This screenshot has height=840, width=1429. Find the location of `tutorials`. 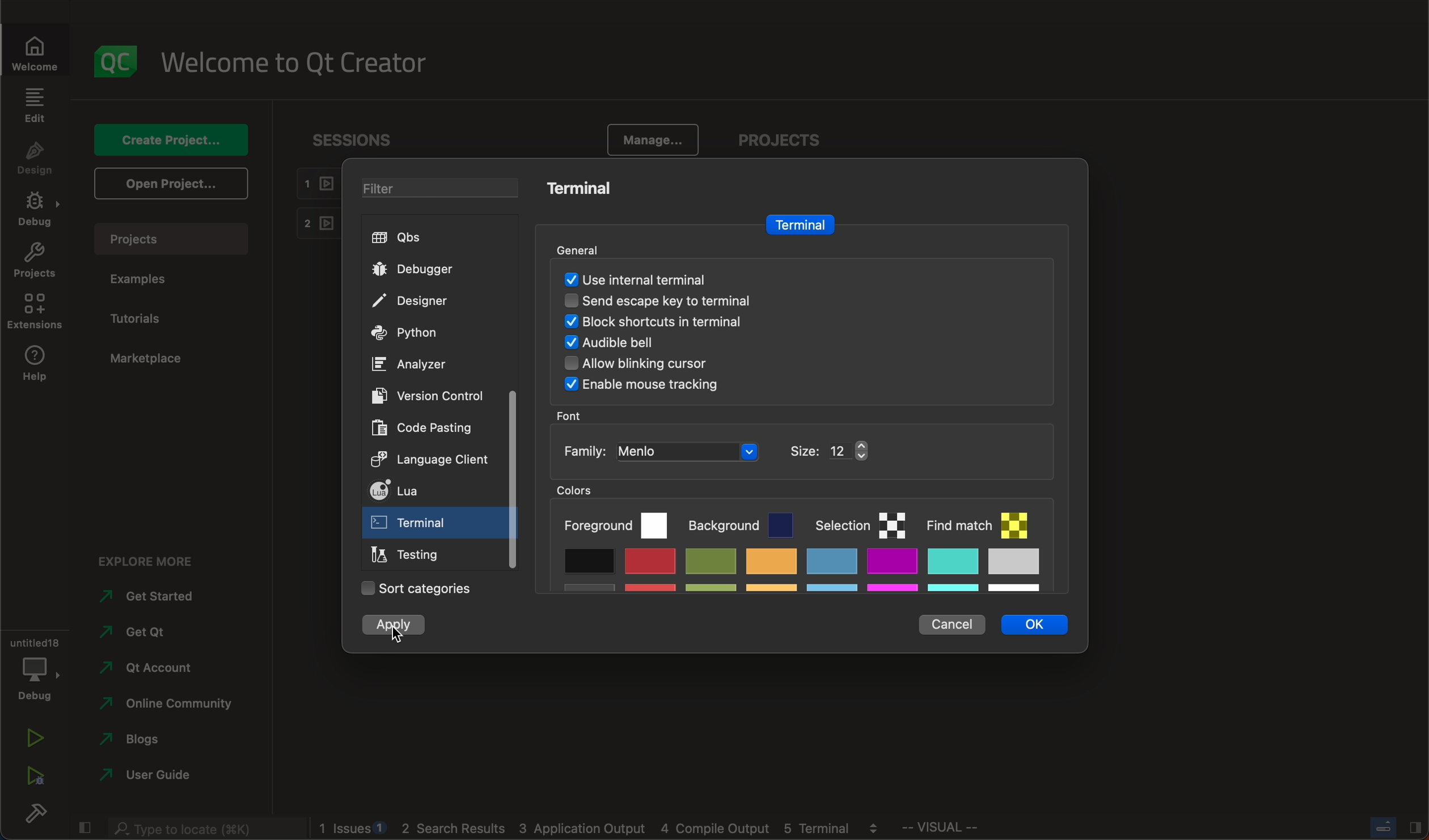

tutorials is located at coordinates (149, 317).